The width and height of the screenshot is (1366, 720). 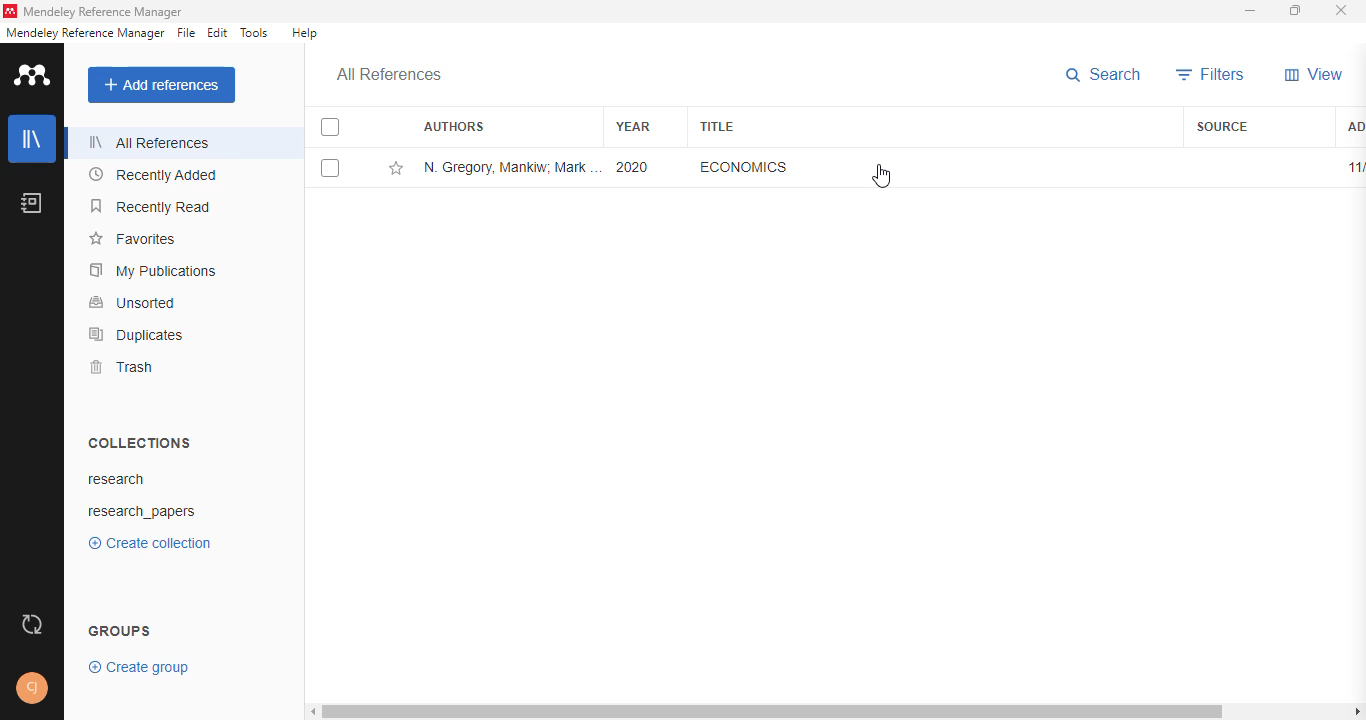 I want to click on help, so click(x=304, y=33).